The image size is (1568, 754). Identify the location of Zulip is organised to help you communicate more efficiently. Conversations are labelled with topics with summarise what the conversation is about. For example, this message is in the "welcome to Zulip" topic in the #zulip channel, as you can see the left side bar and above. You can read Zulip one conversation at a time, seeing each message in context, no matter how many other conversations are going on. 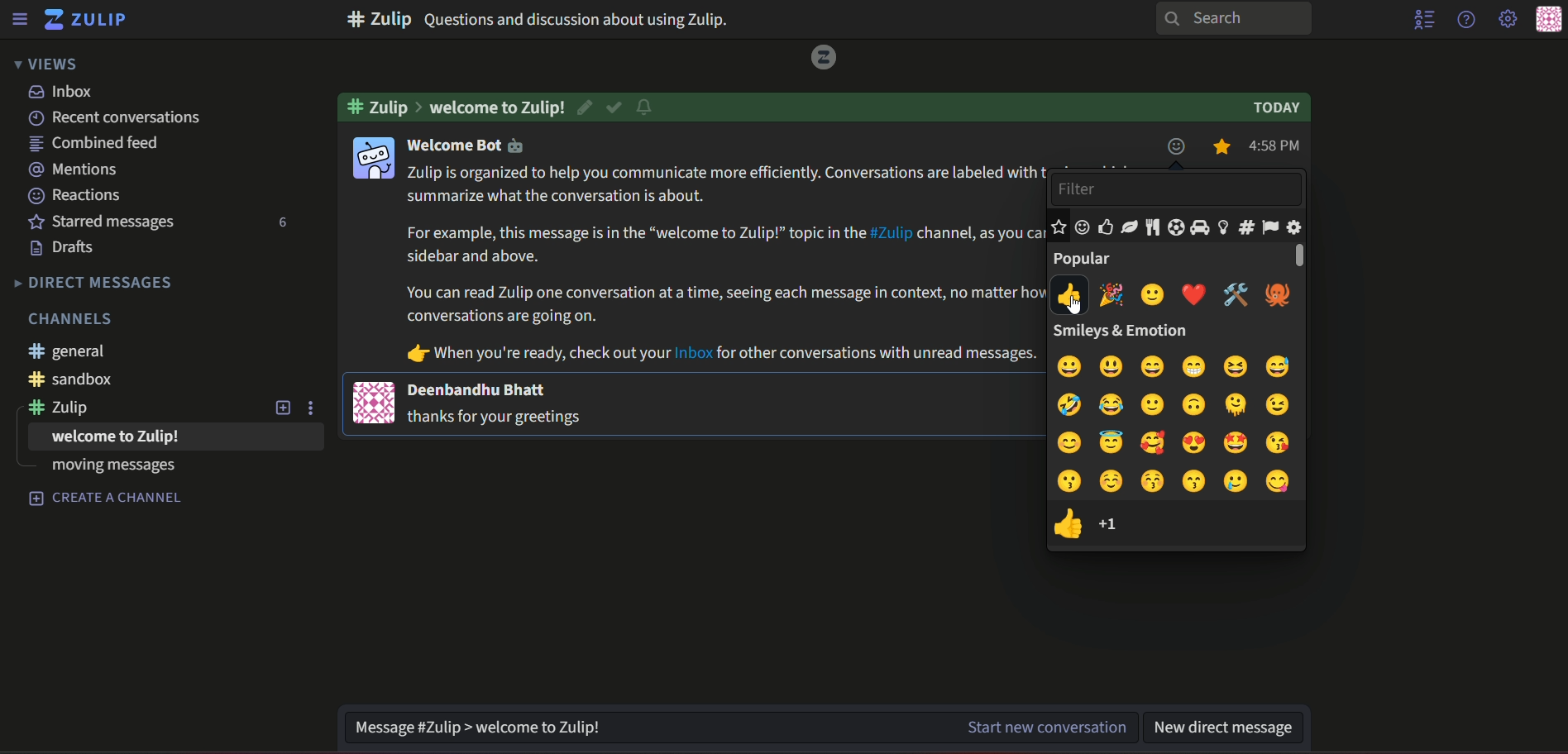
(721, 243).